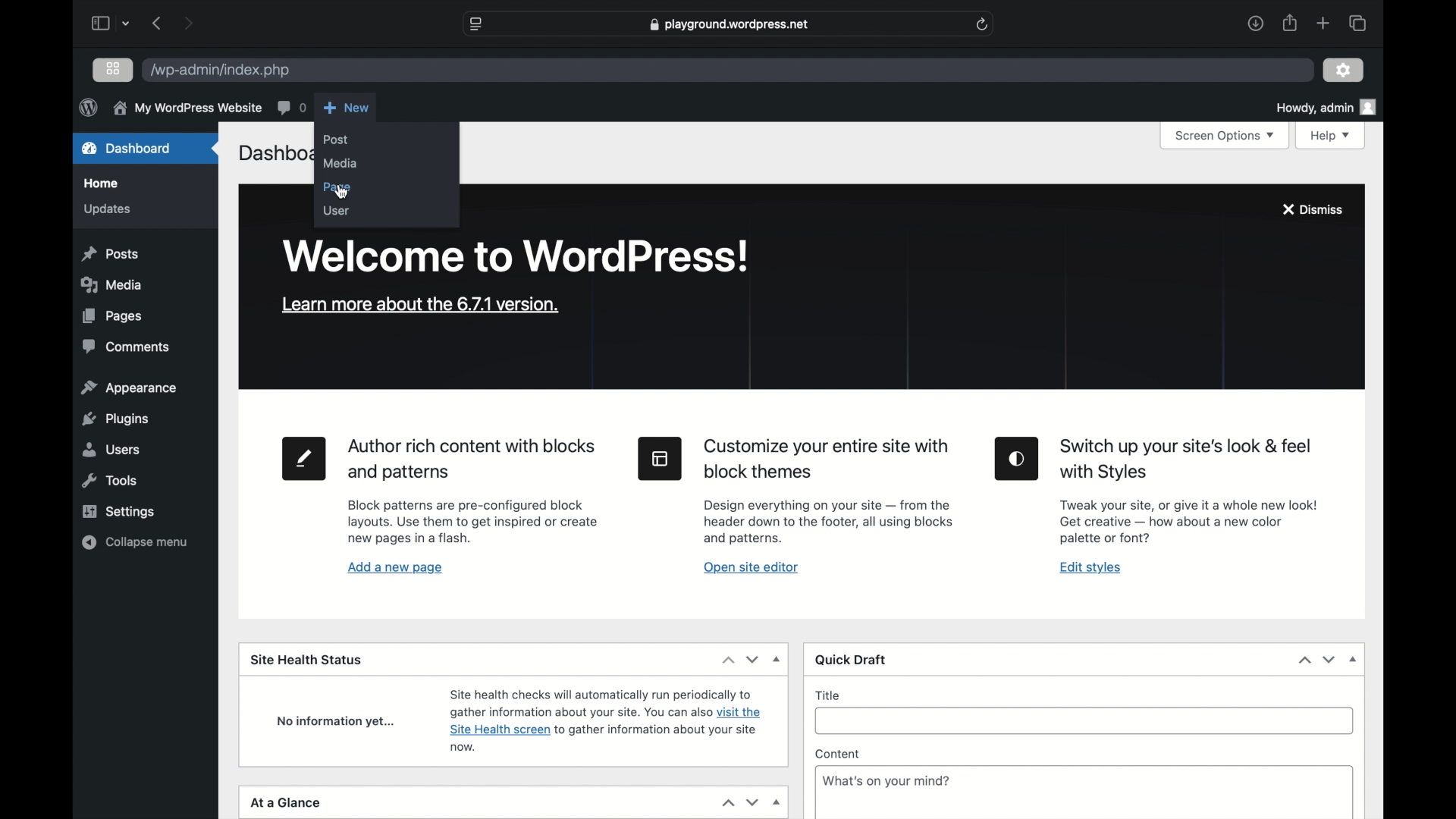 The width and height of the screenshot is (1456, 819). Describe the element at coordinates (1311, 209) in the screenshot. I see `dismiss` at that location.